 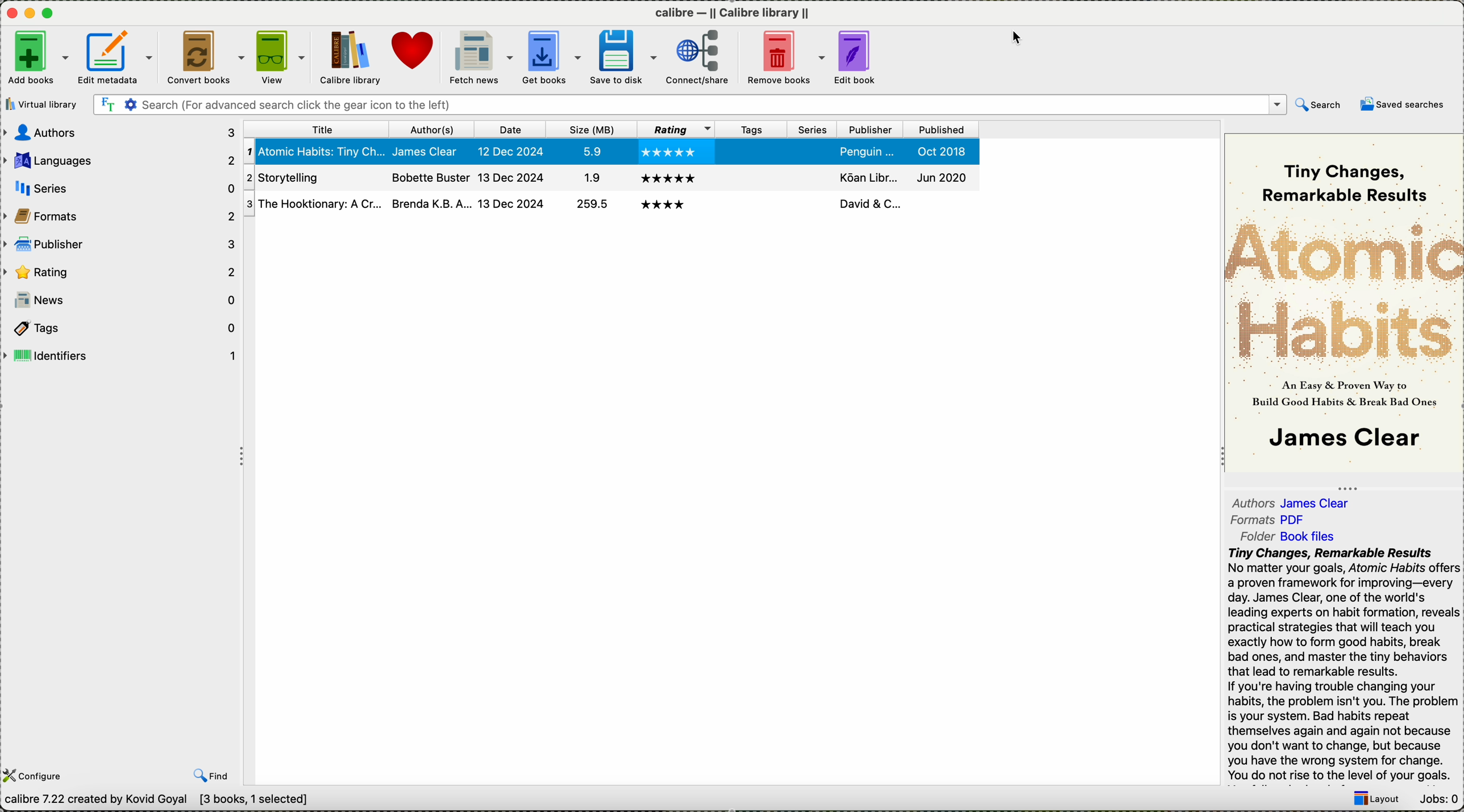 What do you see at coordinates (1343, 287) in the screenshot?
I see `Atomic Habits` at bounding box center [1343, 287].